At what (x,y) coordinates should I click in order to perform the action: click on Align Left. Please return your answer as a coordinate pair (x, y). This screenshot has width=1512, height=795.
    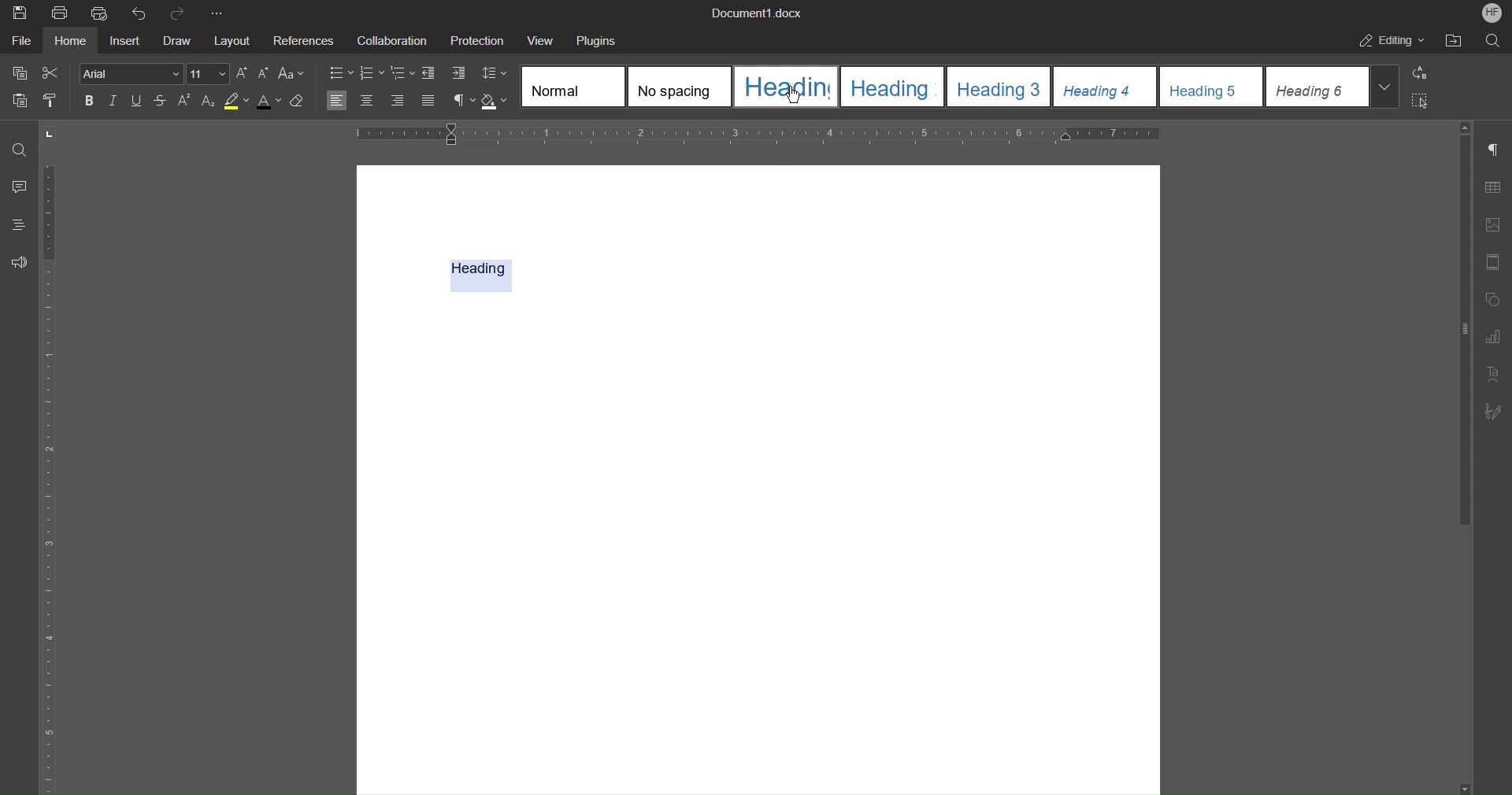
    Looking at the image, I should click on (338, 101).